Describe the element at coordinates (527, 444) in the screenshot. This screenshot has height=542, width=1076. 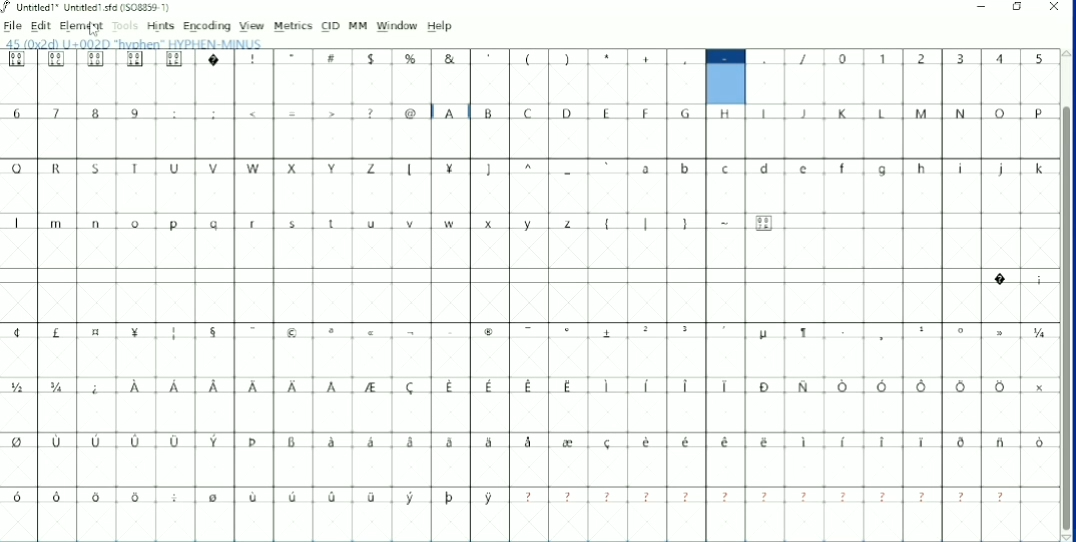
I see `Symbols` at that location.